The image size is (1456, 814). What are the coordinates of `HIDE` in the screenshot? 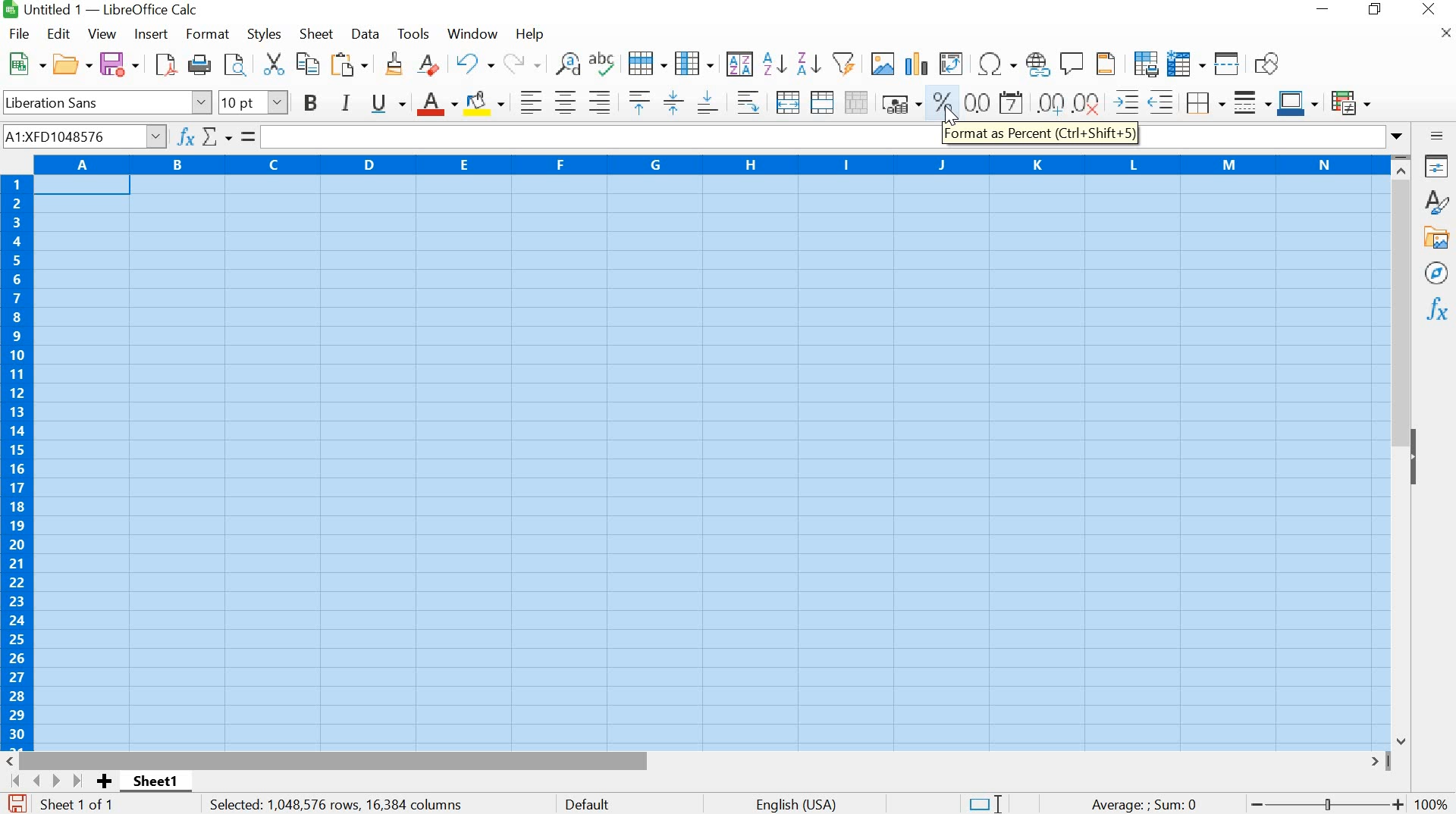 It's located at (1418, 452).